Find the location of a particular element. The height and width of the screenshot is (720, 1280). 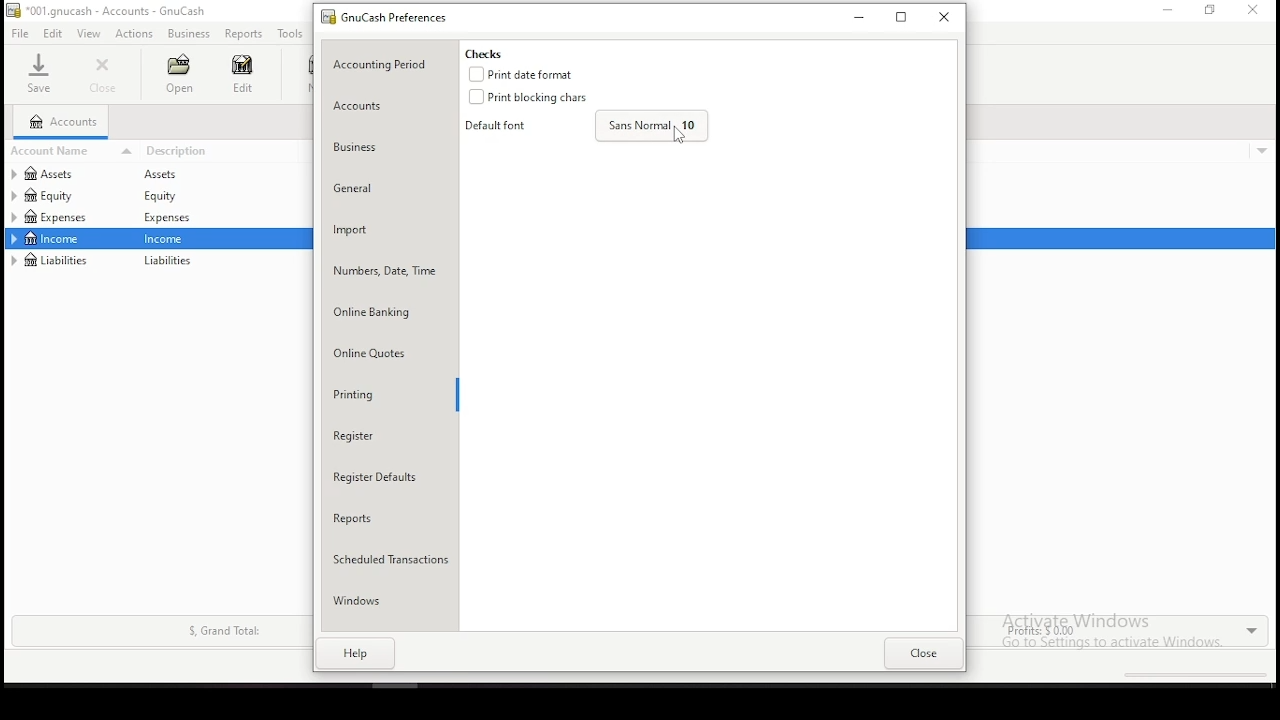

restore is located at coordinates (902, 17).